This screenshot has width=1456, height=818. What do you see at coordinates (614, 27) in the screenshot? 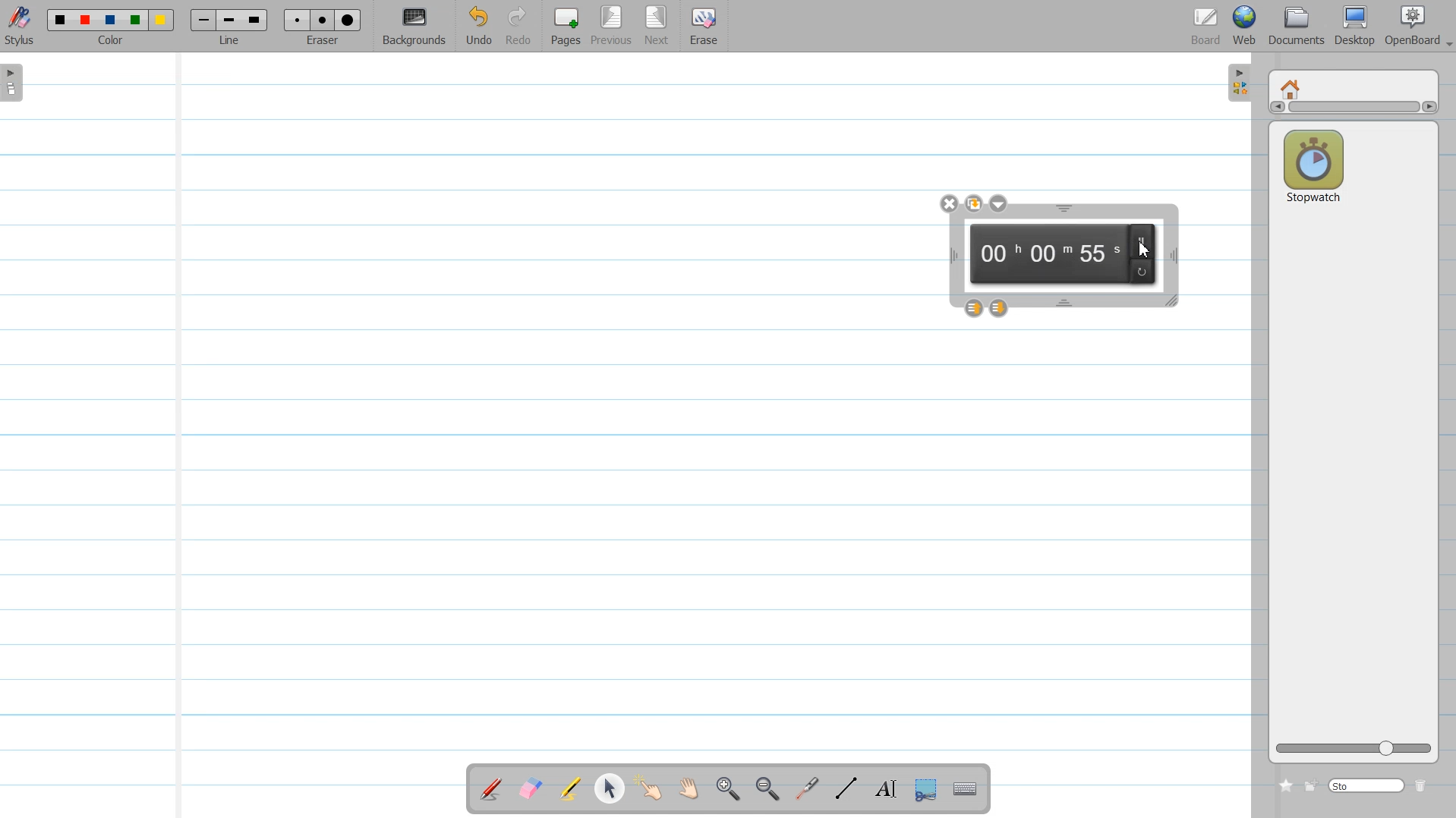
I see `Previous` at bounding box center [614, 27].